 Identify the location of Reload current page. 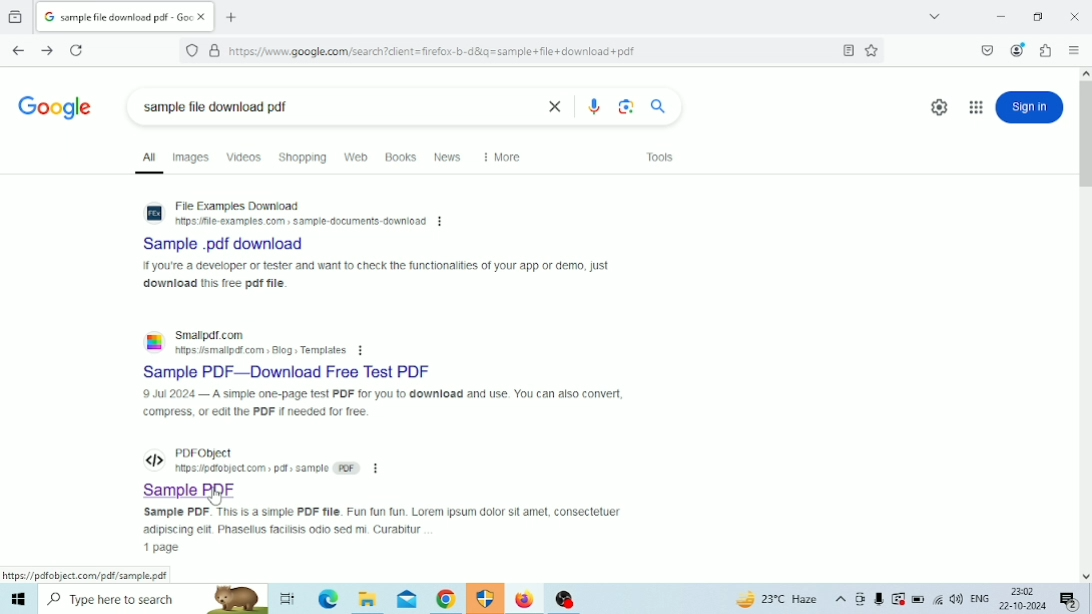
(76, 51).